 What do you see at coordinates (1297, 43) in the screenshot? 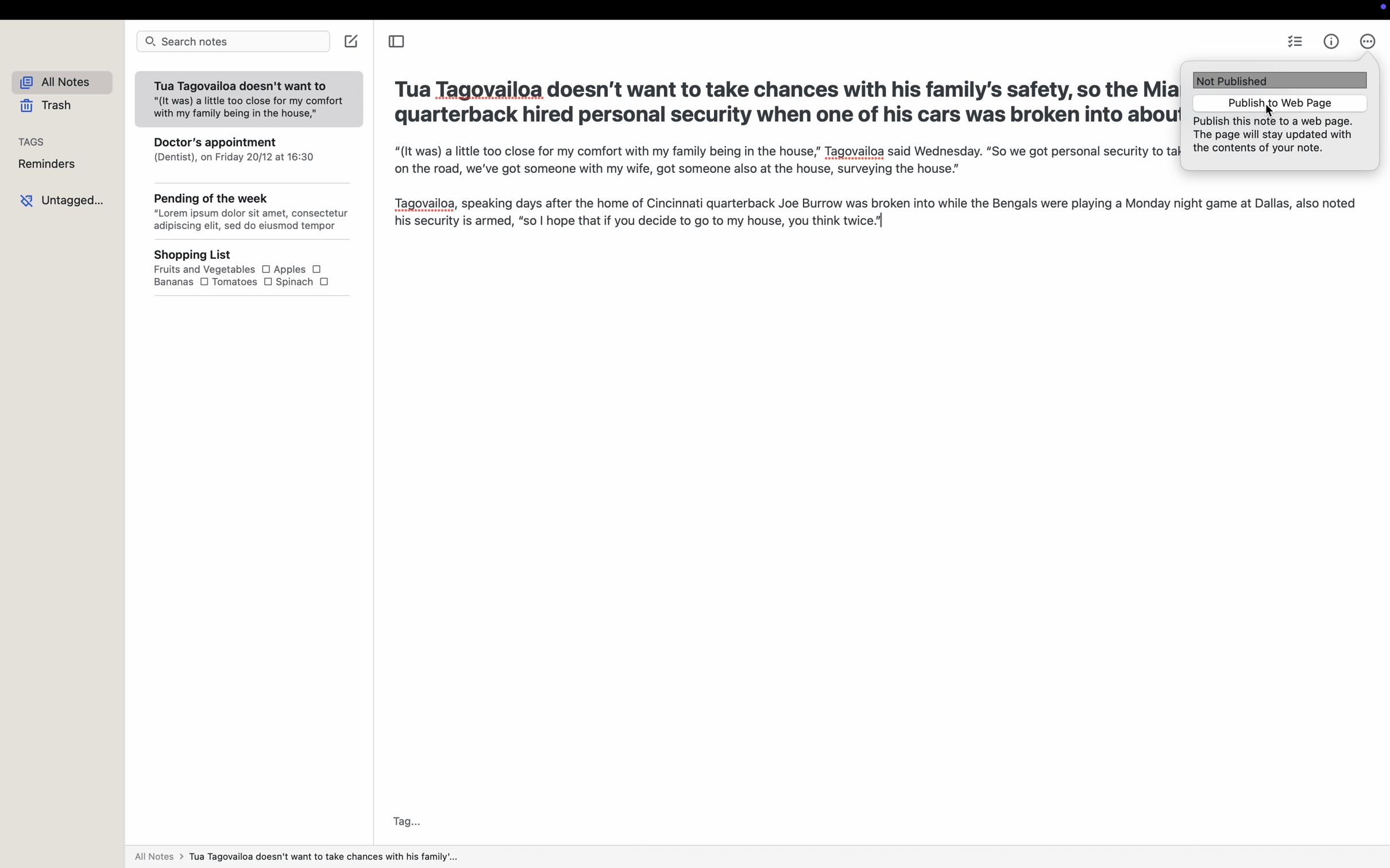
I see `check list` at bounding box center [1297, 43].